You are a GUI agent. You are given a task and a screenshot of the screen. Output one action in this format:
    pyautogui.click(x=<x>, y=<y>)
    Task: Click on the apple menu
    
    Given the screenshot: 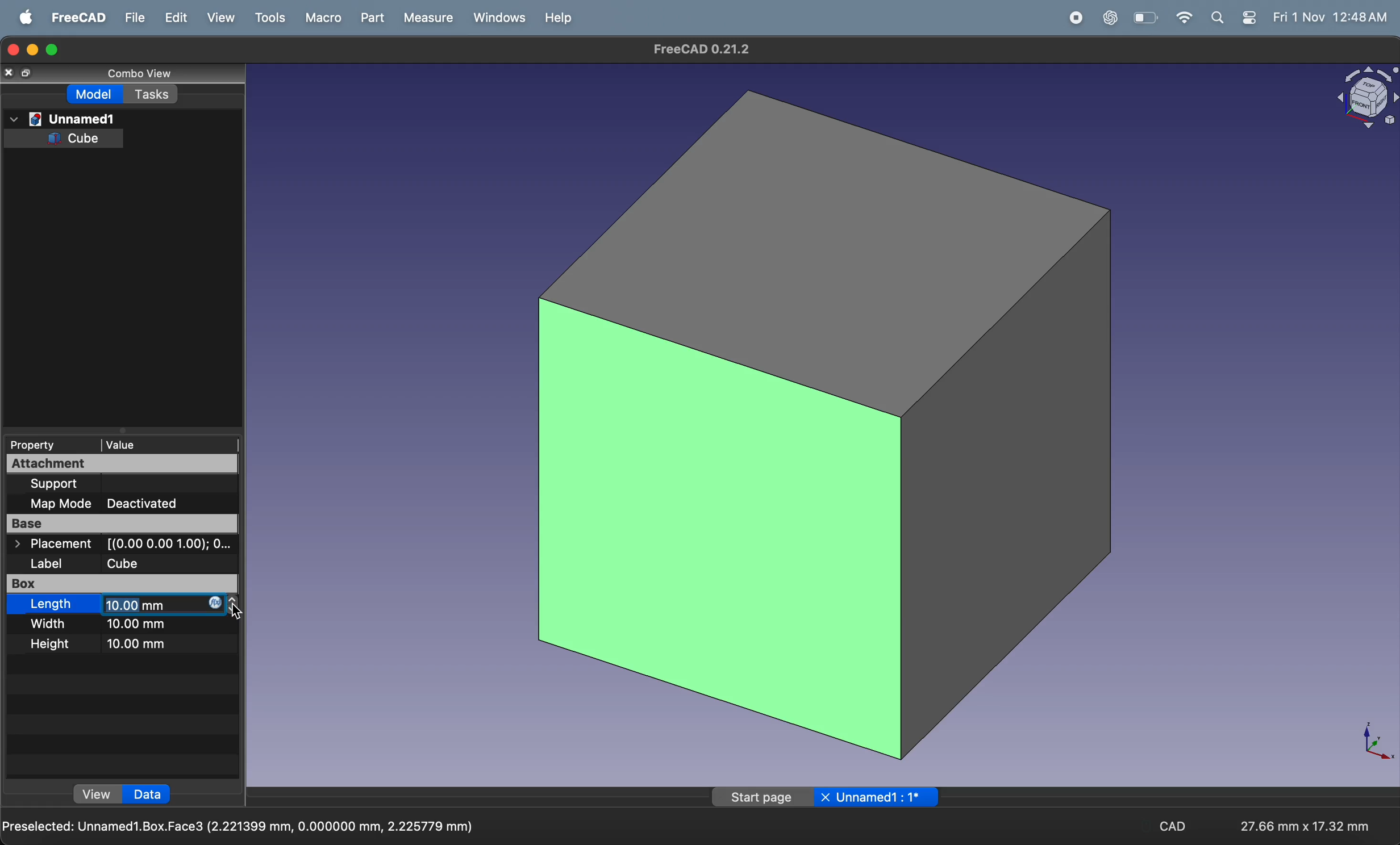 What is the action you would take?
    pyautogui.click(x=24, y=17)
    